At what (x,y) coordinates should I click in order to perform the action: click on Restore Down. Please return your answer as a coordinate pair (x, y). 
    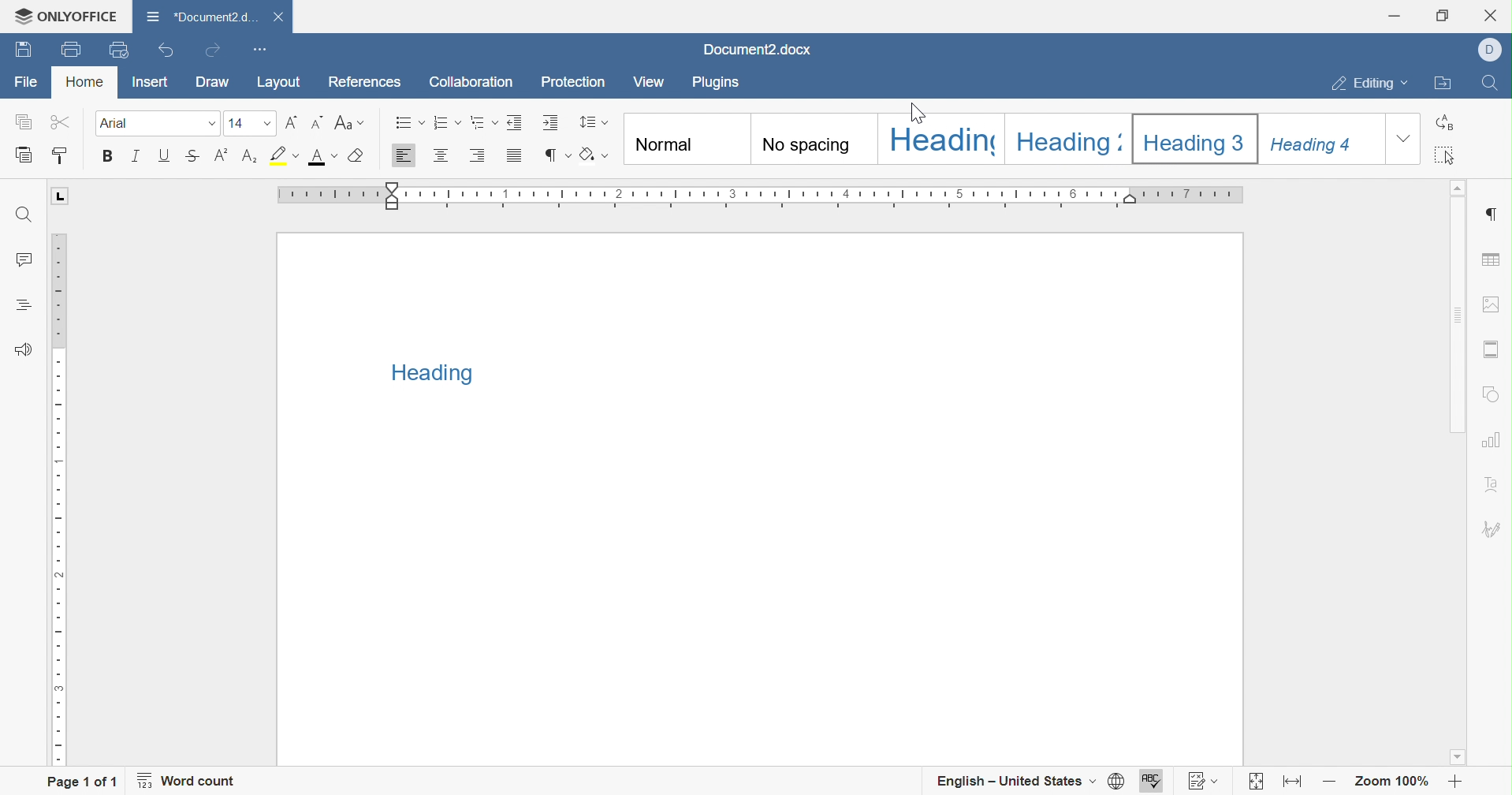
    Looking at the image, I should click on (1439, 16).